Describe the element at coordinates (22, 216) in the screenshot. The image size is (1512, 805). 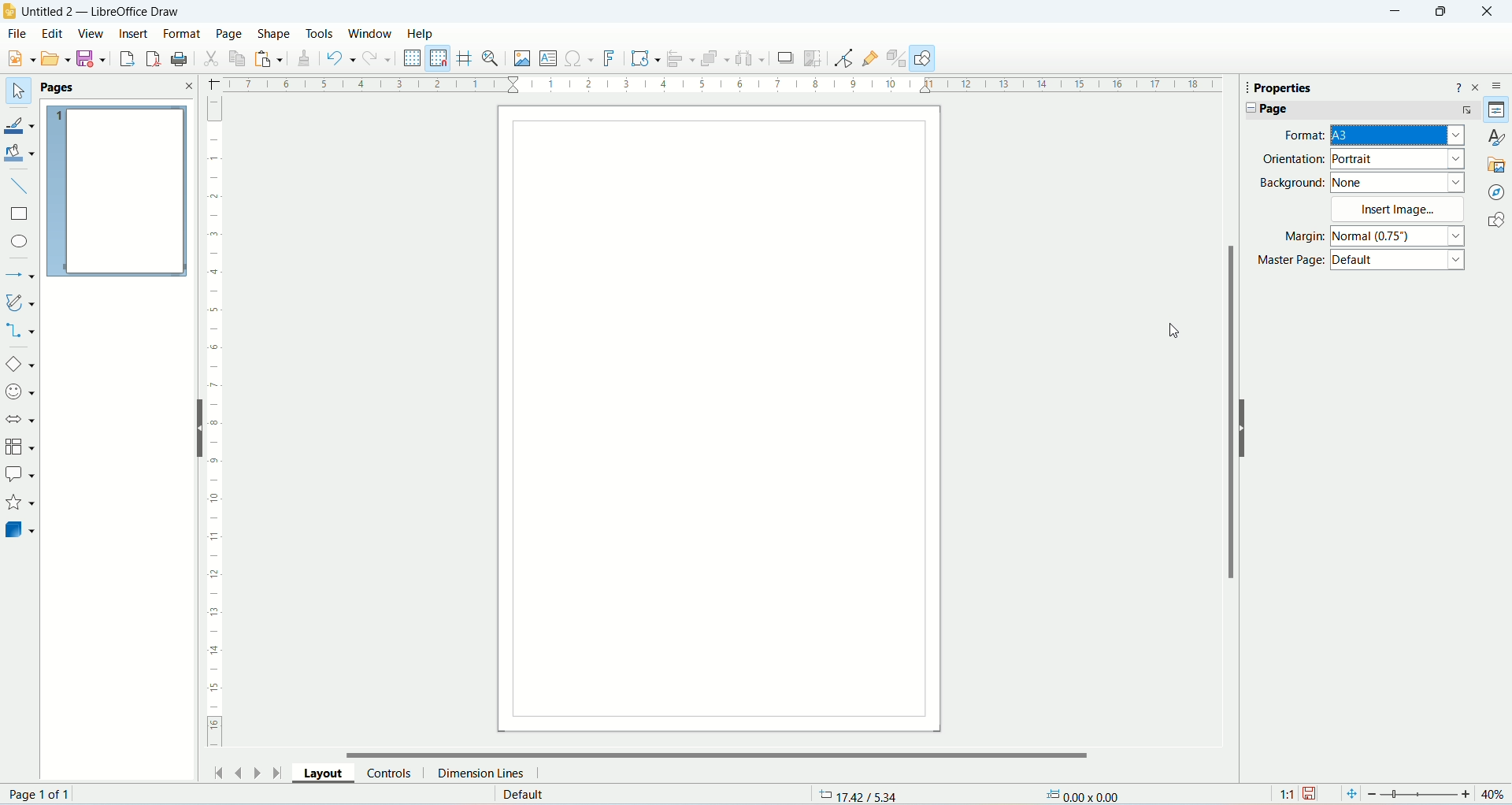
I see `rectangle` at that location.